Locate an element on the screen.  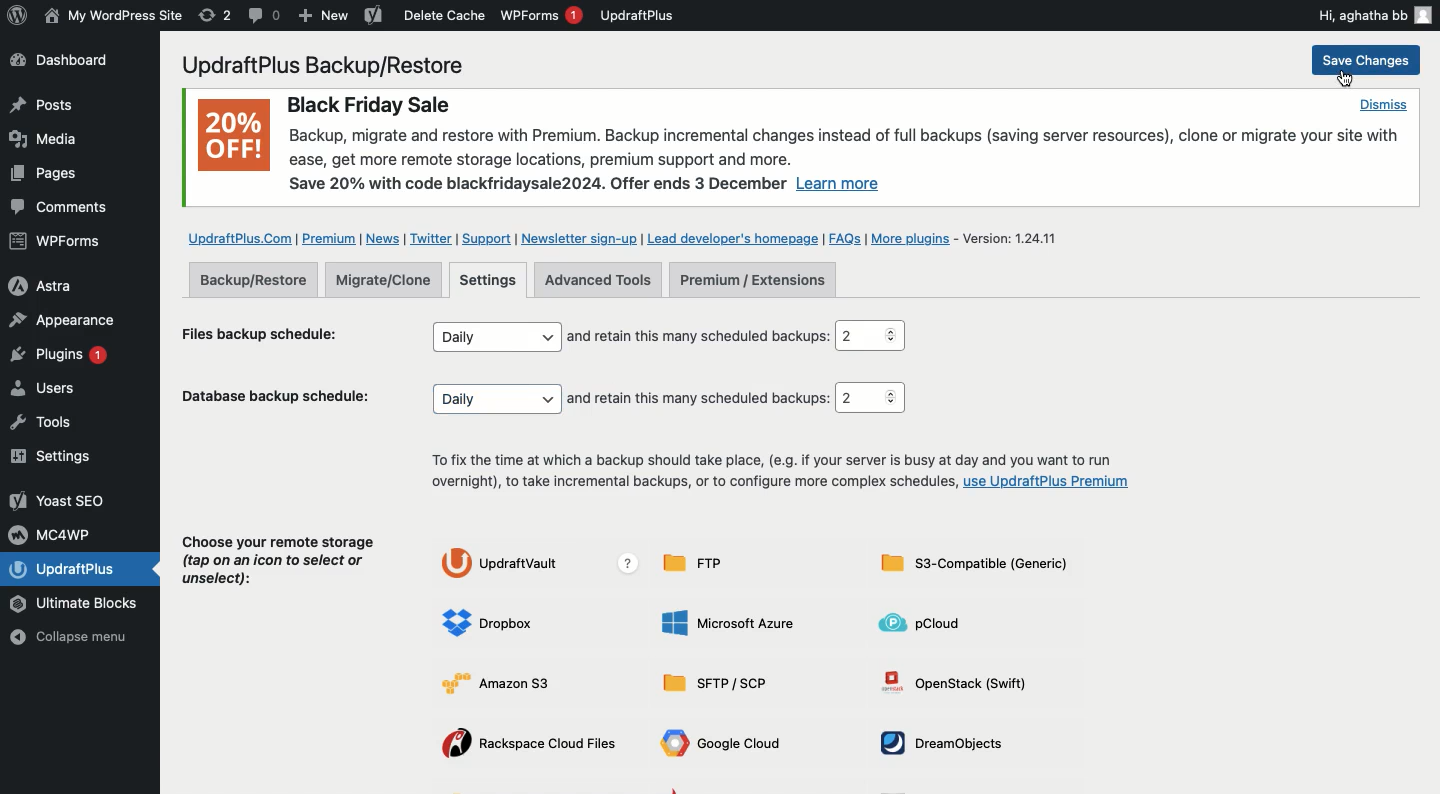
UpdraftPlus.com is located at coordinates (238, 237).